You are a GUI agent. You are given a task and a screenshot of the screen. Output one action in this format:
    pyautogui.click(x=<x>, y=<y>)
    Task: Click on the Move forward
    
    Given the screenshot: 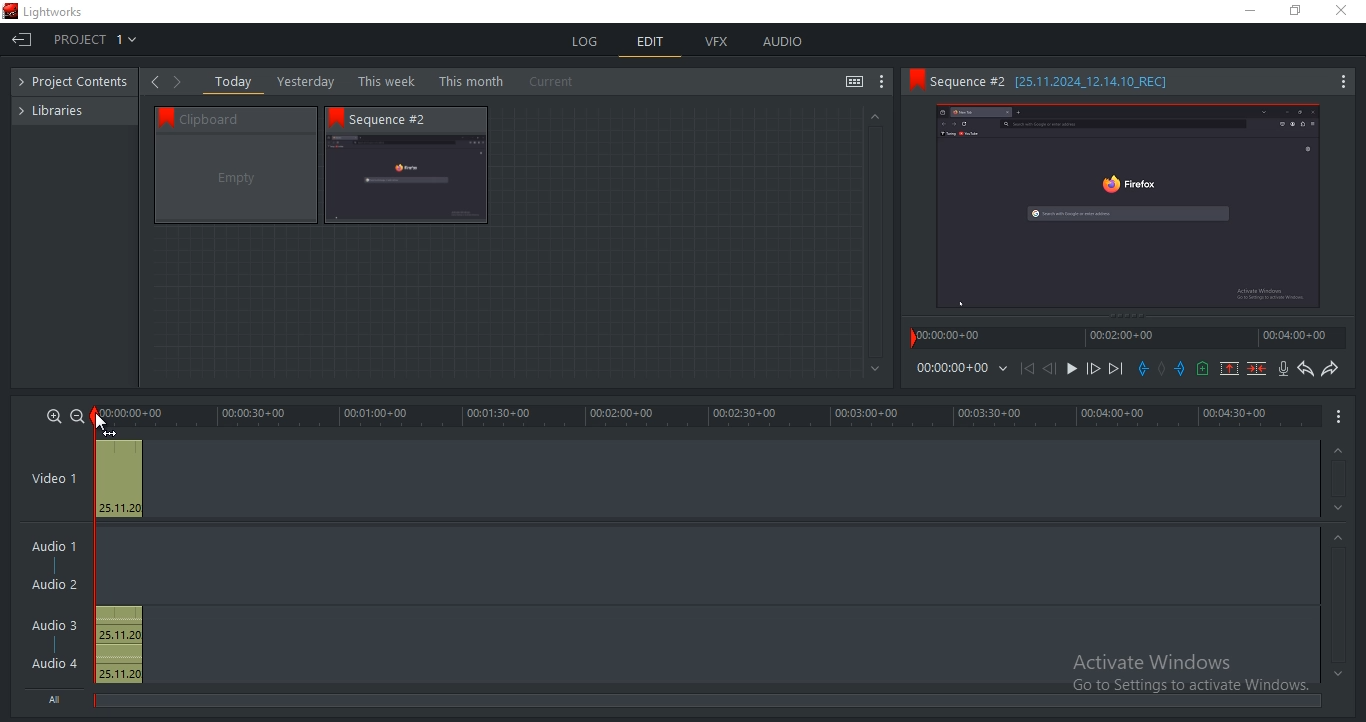 What is the action you would take?
    pyautogui.click(x=1115, y=369)
    